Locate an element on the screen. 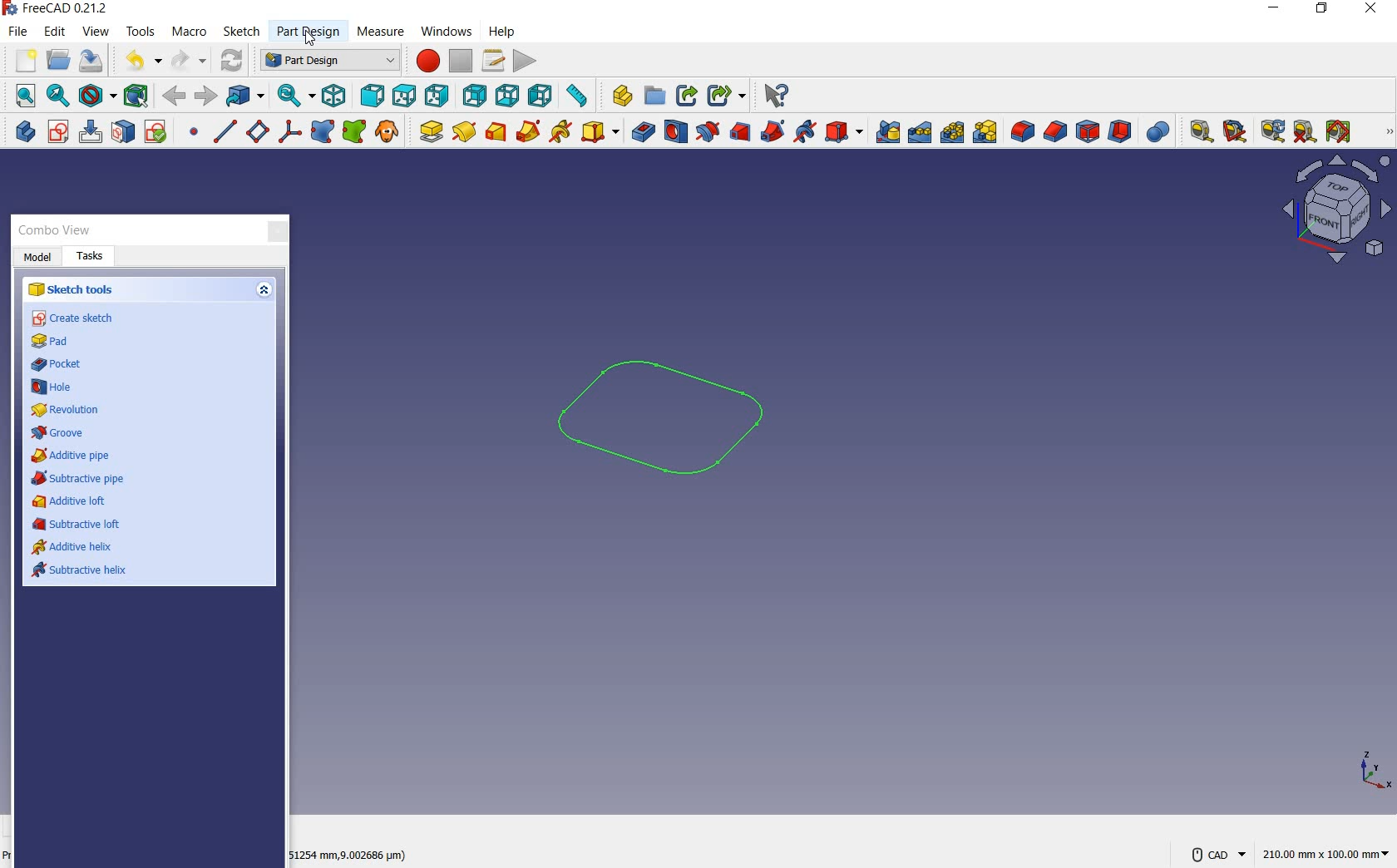 The width and height of the screenshot is (1397, 868). open is located at coordinates (57, 61).